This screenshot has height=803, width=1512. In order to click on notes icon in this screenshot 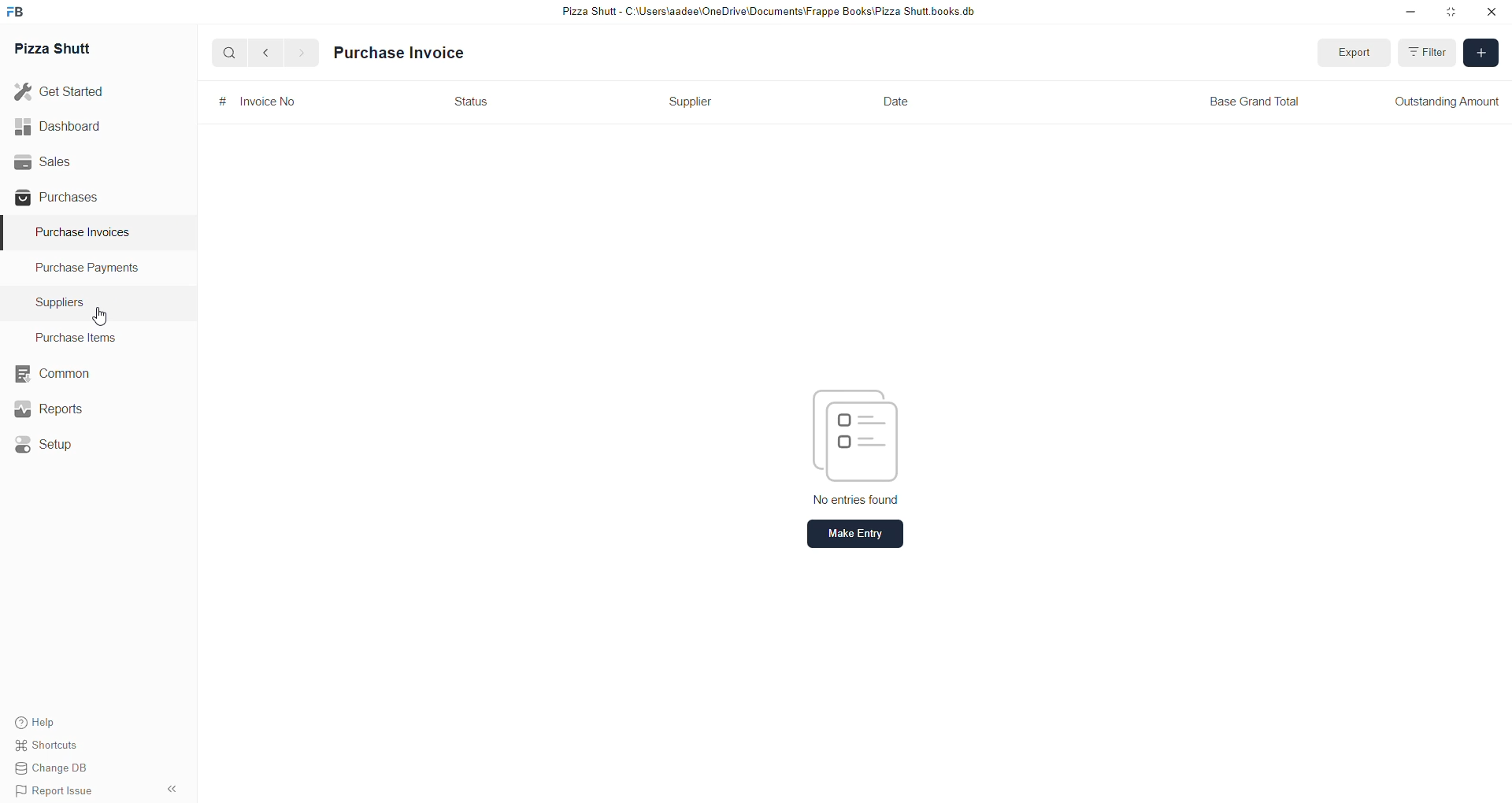, I will do `click(854, 430)`.